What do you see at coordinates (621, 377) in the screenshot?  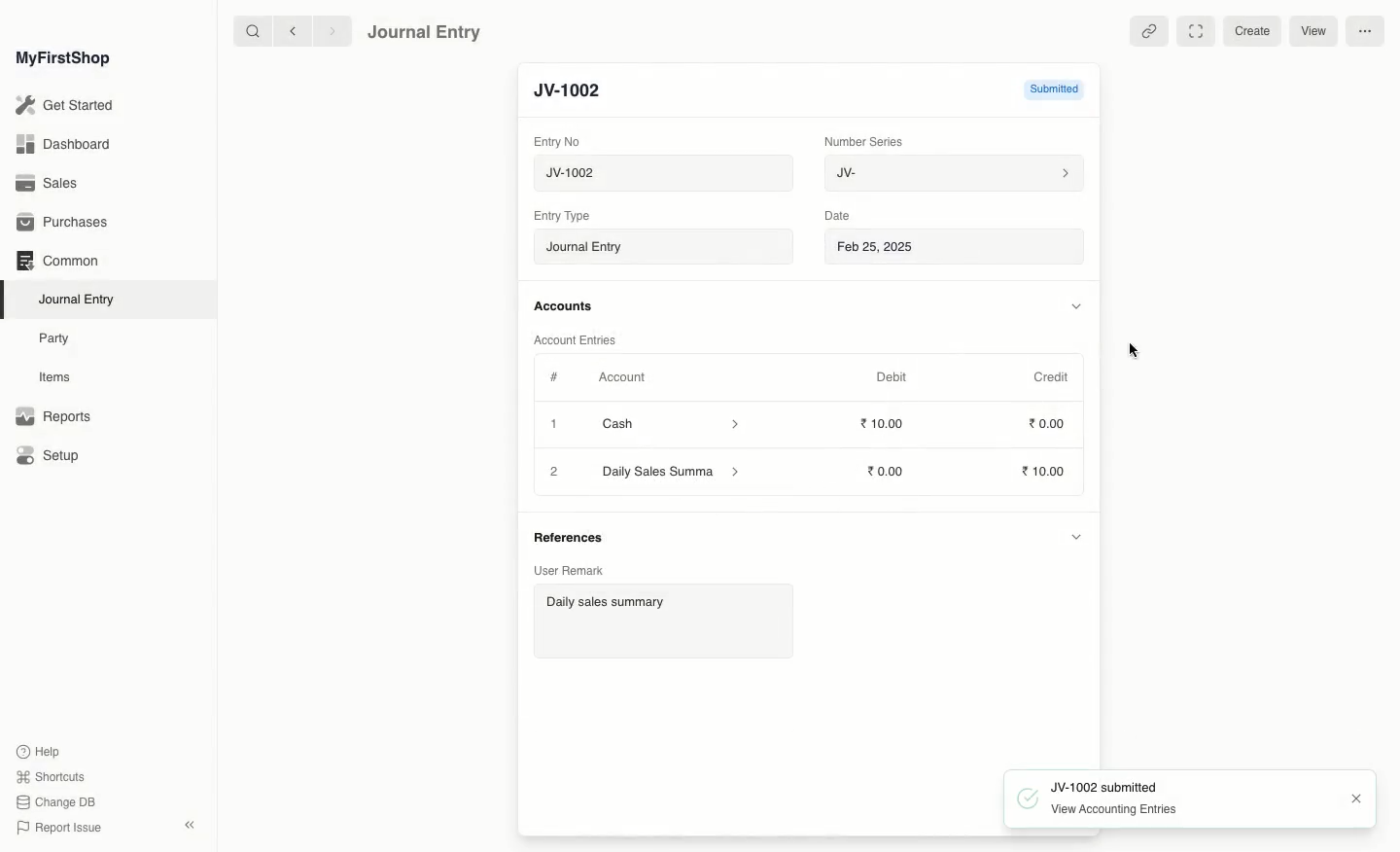 I see `Account` at bounding box center [621, 377].